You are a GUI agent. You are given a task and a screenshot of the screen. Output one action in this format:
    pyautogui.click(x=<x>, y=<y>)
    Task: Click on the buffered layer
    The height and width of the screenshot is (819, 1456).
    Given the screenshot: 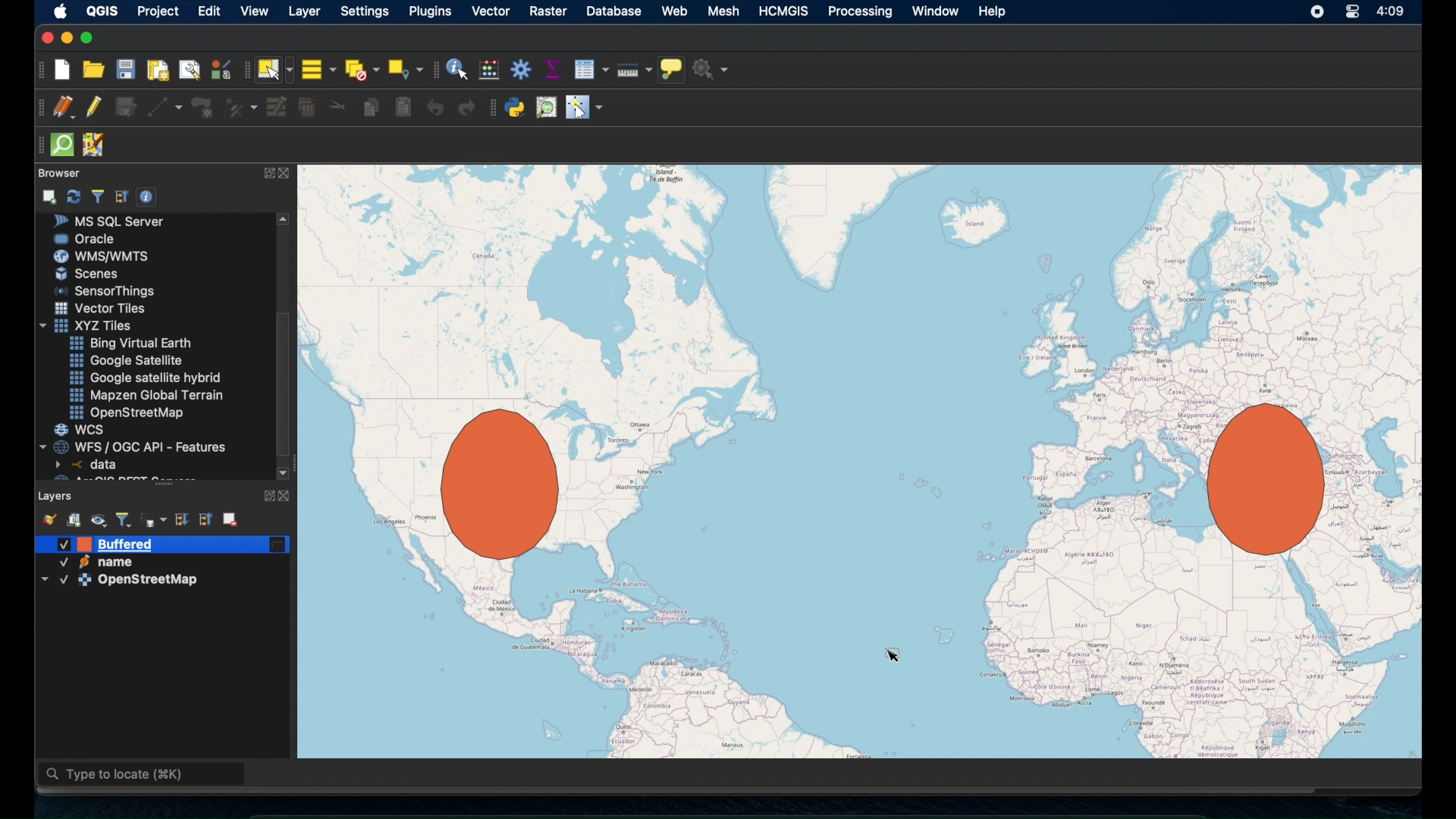 What is the action you would take?
    pyautogui.click(x=119, y=545)
    